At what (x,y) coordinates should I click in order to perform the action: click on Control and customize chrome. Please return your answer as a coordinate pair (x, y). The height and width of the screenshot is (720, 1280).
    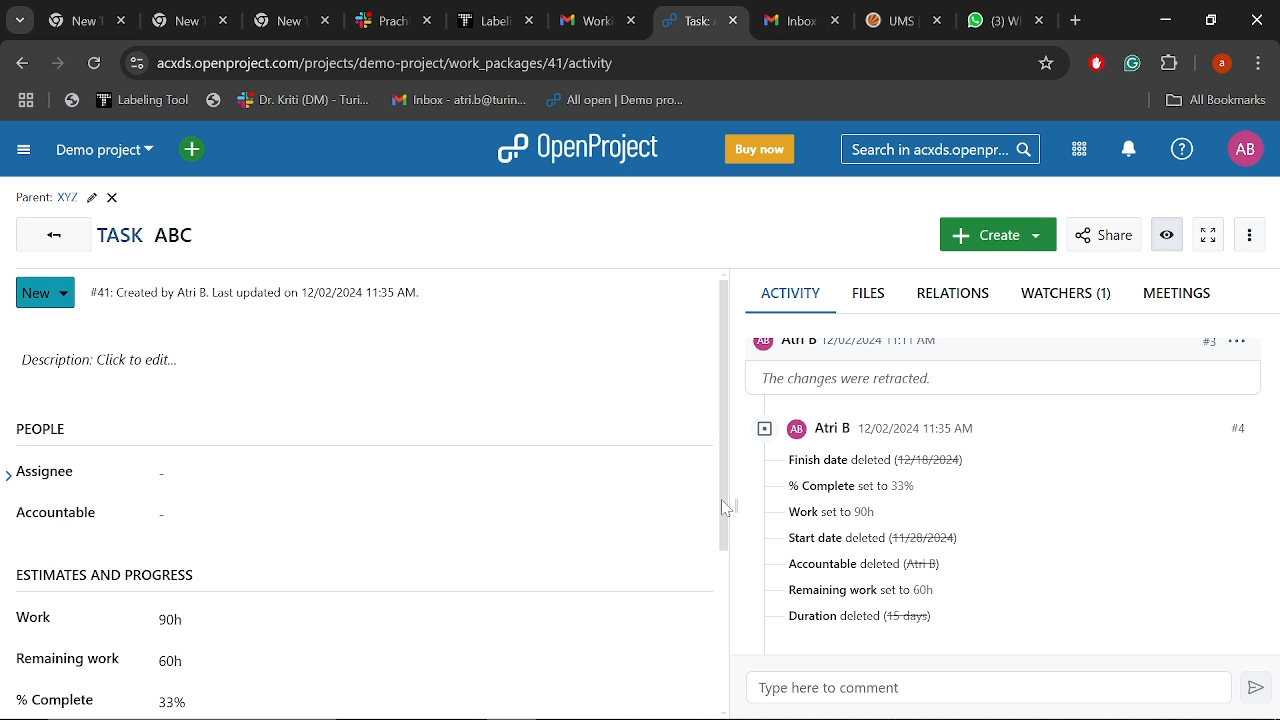
    Looking at the image, I should click on (1260, 64).